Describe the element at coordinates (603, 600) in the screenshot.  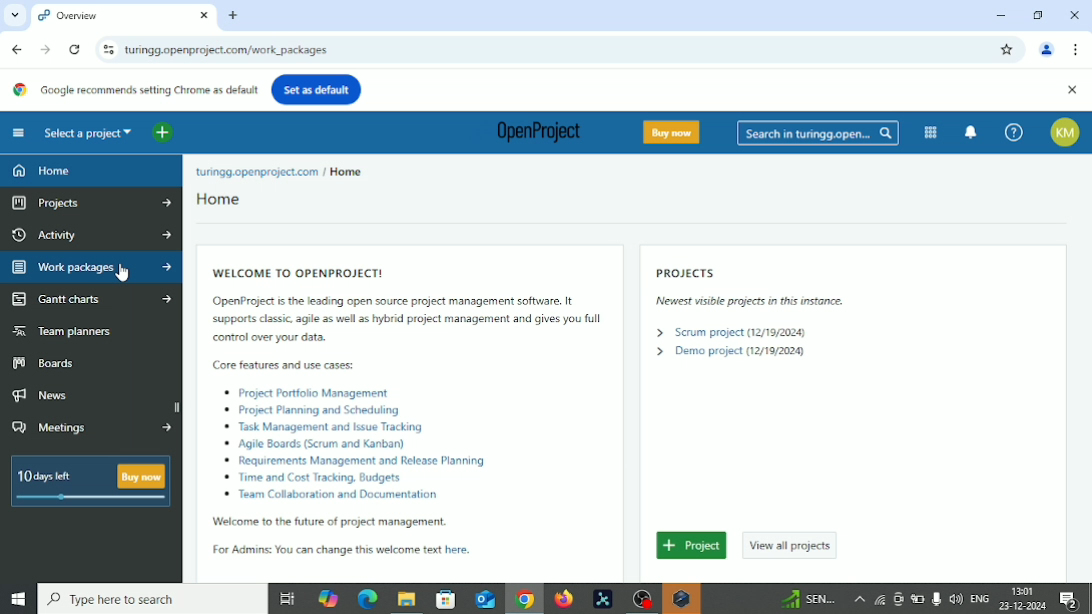
I see `Pymol` at that location.